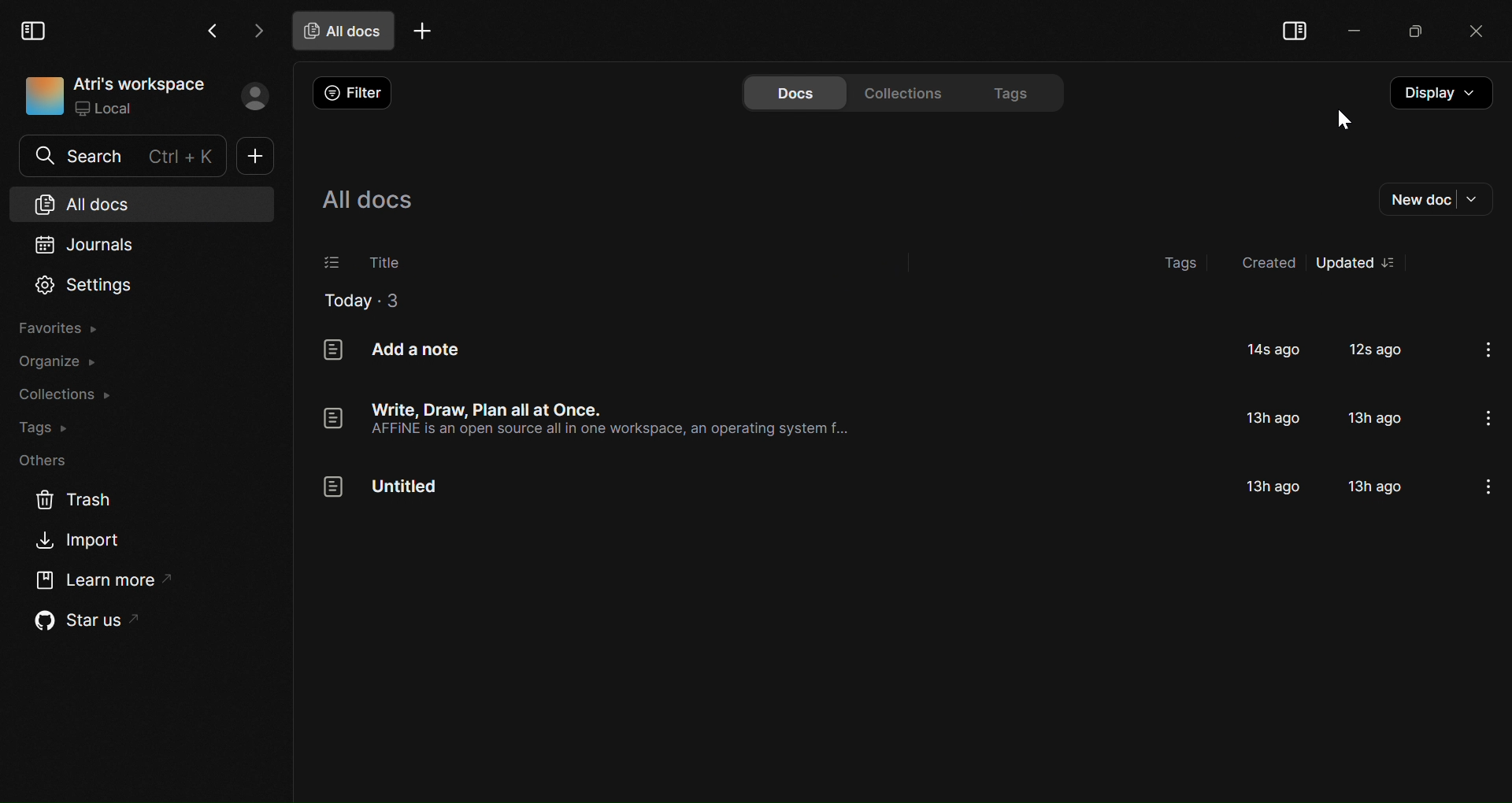  I want to click on All docs, so click(366, 200).